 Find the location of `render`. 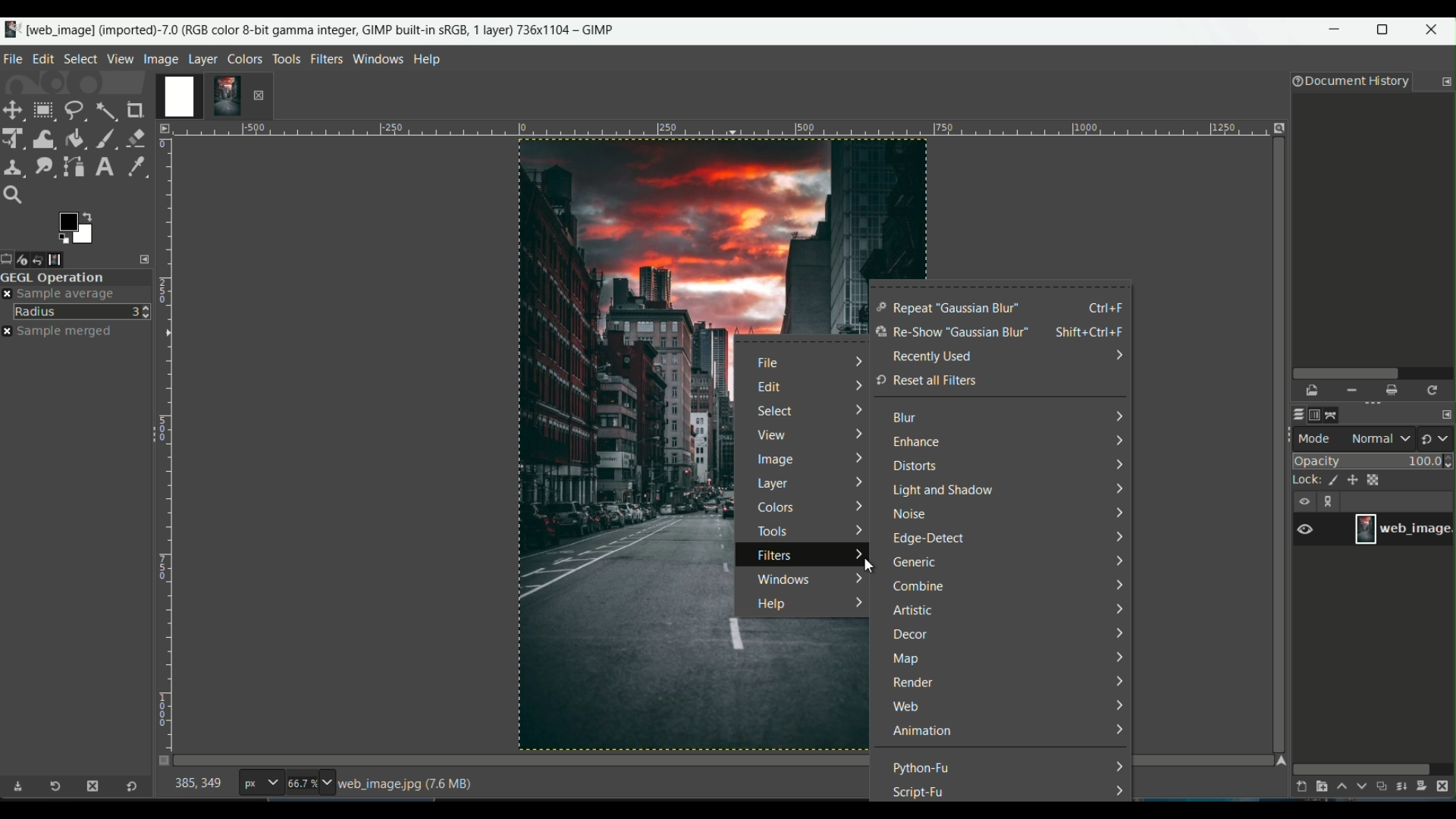

render is located at coordinates (912, 683).